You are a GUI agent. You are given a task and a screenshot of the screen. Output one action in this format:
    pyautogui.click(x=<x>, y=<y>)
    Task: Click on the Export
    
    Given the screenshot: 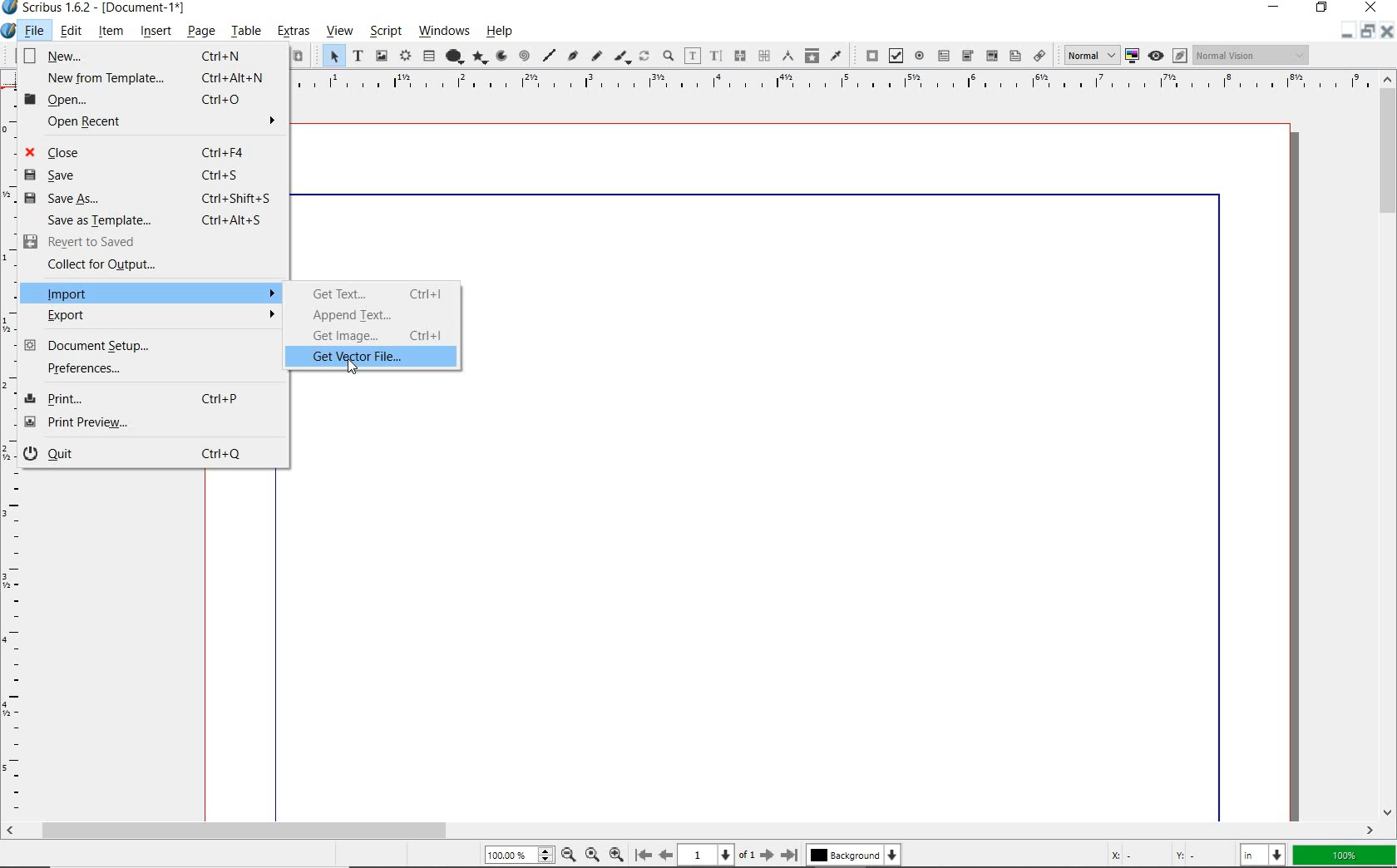 What is the action you would take?
    pyautogui.click(x=153, y=317)
    